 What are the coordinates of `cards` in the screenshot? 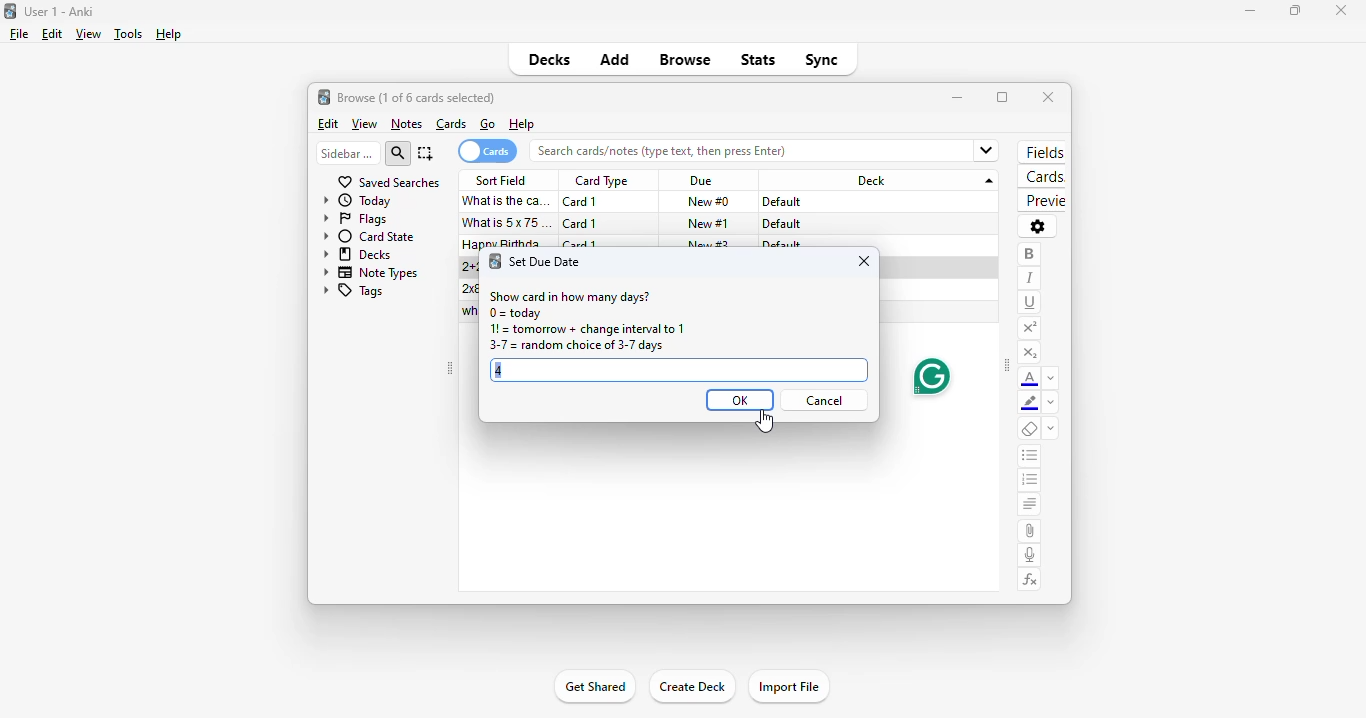 It's located at (487, 151).